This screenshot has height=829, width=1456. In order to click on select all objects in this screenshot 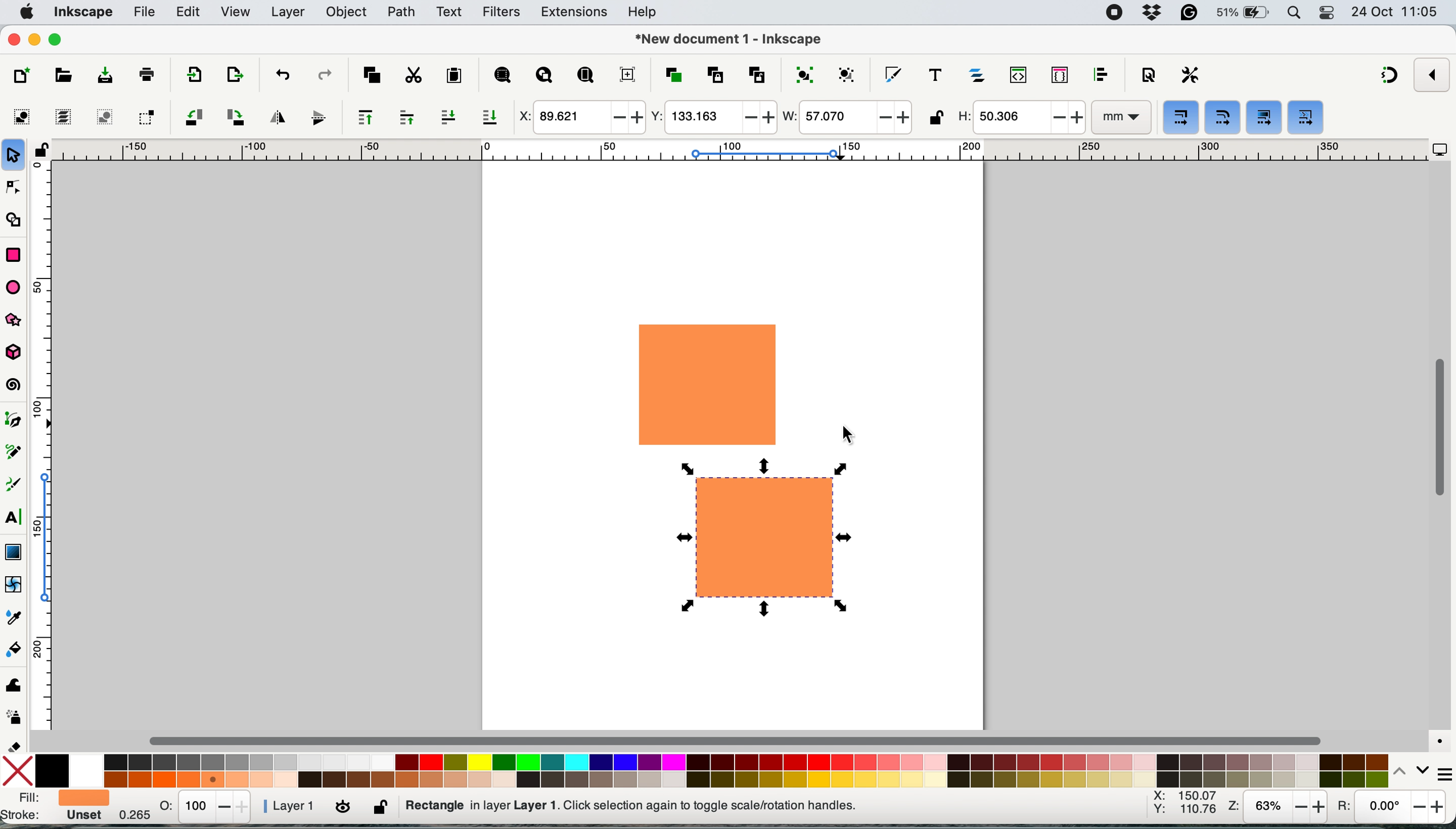, I will do `click(25, 117)`.